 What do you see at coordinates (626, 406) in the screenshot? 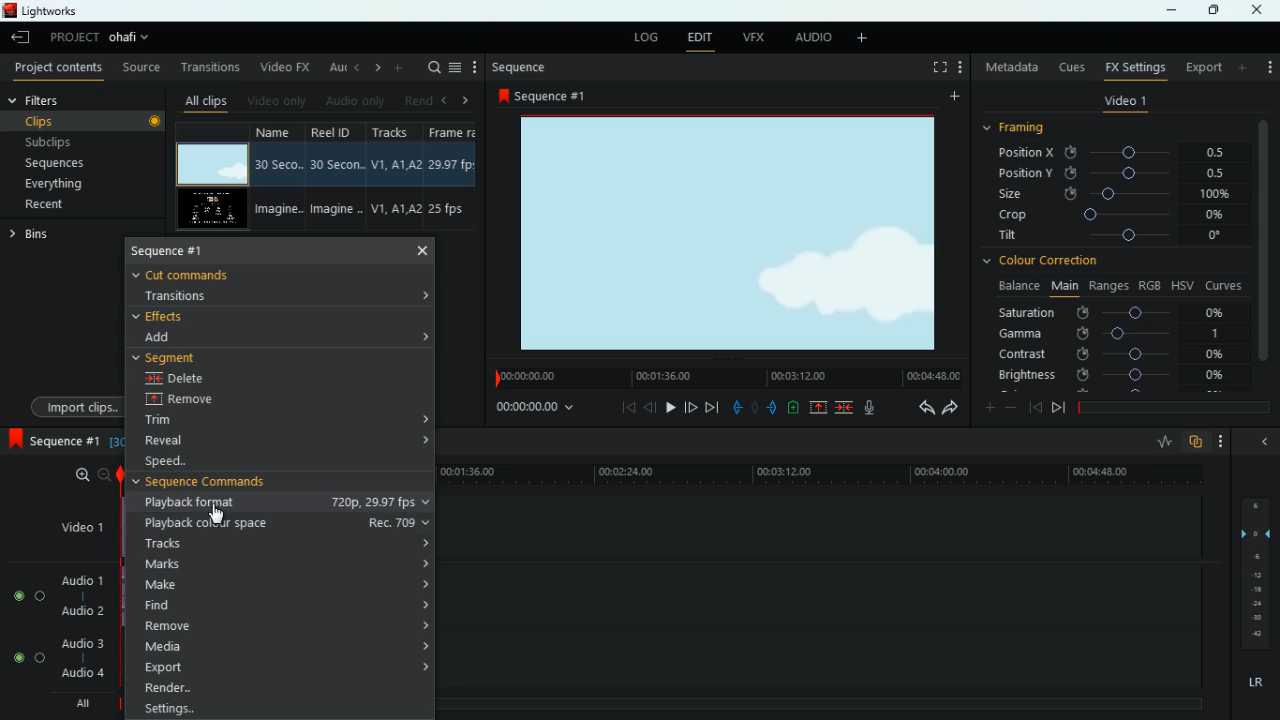
I see `beggining` at bounding box center [626, 406].